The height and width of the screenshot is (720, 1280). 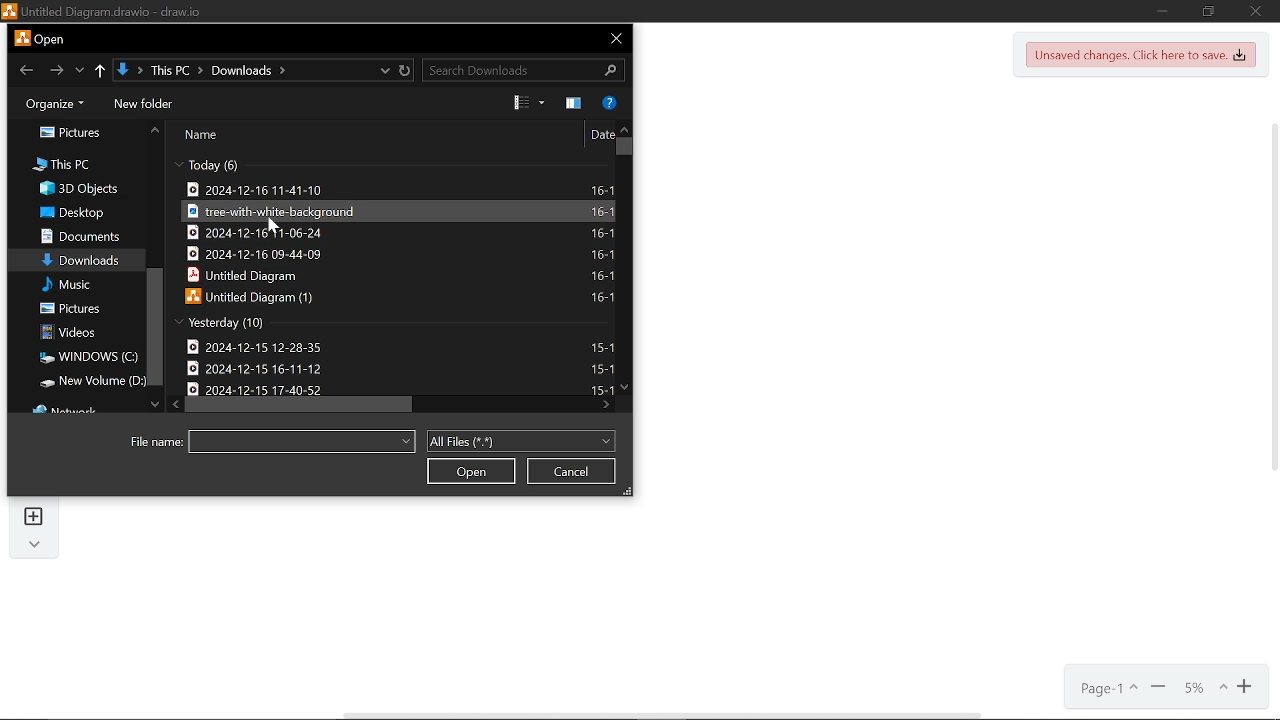 I want to click on move right, so click(x=603, y=406).